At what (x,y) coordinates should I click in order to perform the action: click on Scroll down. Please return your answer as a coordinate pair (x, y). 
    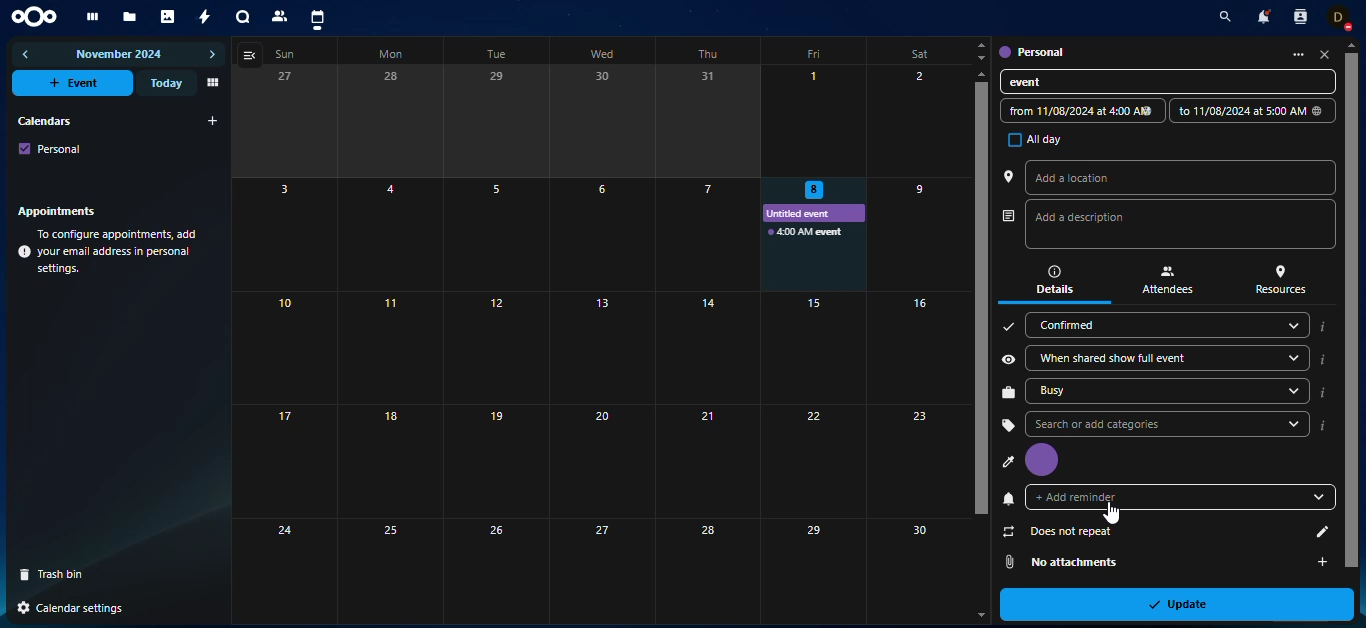
    Looking at the image, I should click on (978, 614).